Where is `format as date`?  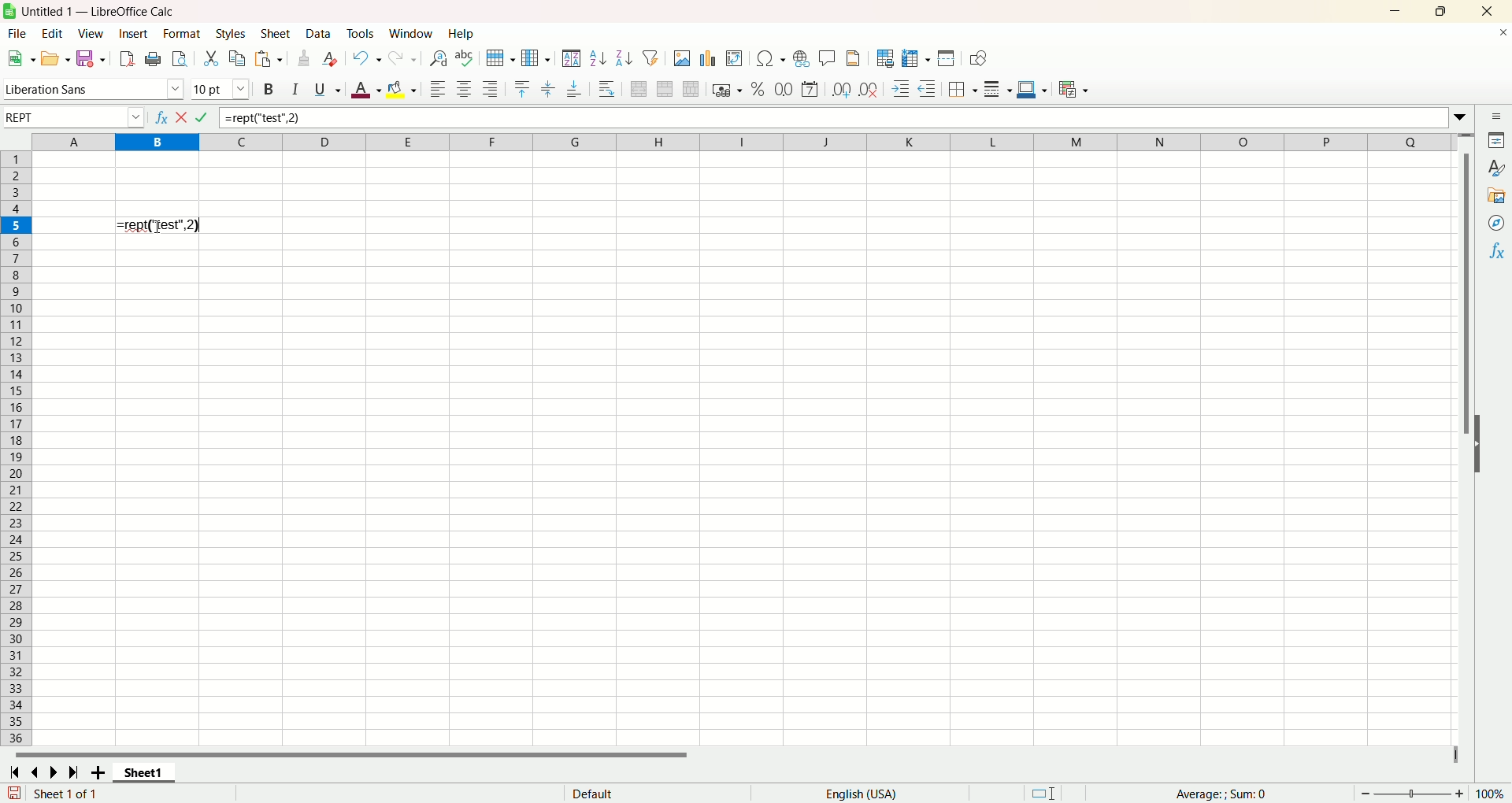
format as date is located at coordinates (810, 89).